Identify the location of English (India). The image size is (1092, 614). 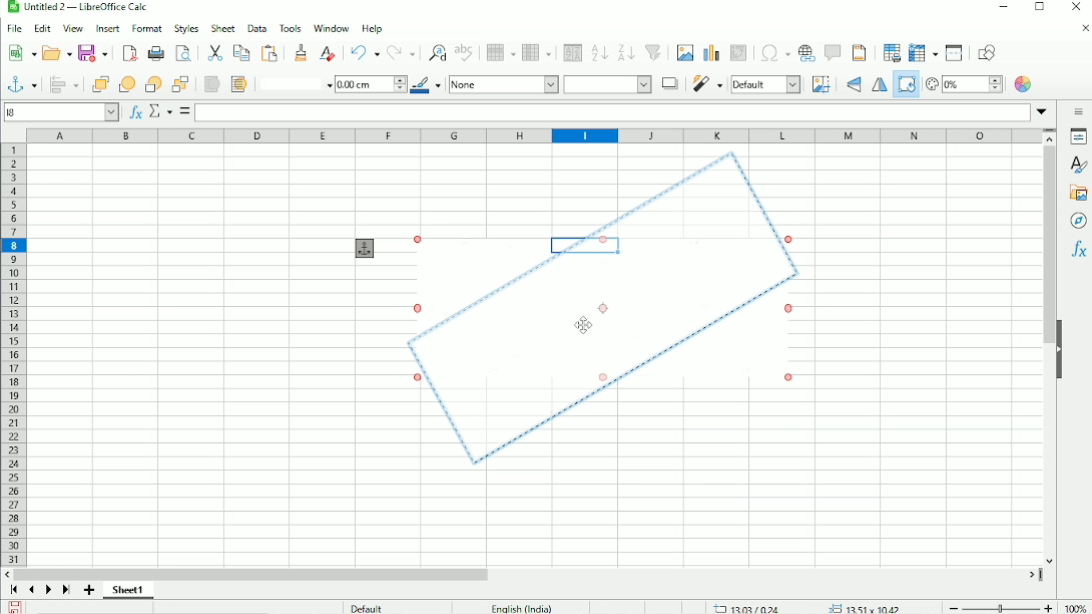
(520, 607).